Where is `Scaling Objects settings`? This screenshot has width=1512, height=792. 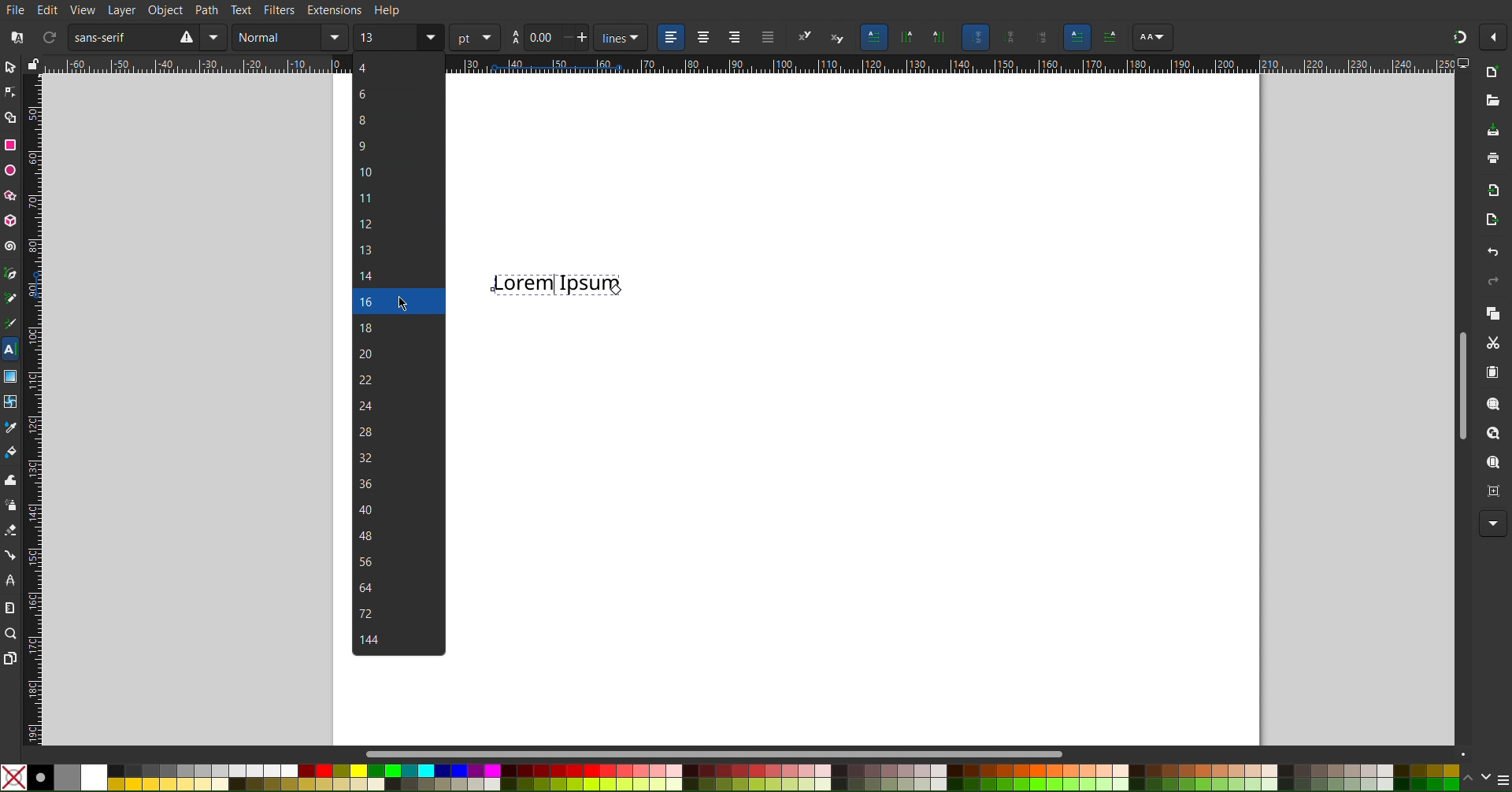
Scaling Objects settings is located at coordinates (975, 37).